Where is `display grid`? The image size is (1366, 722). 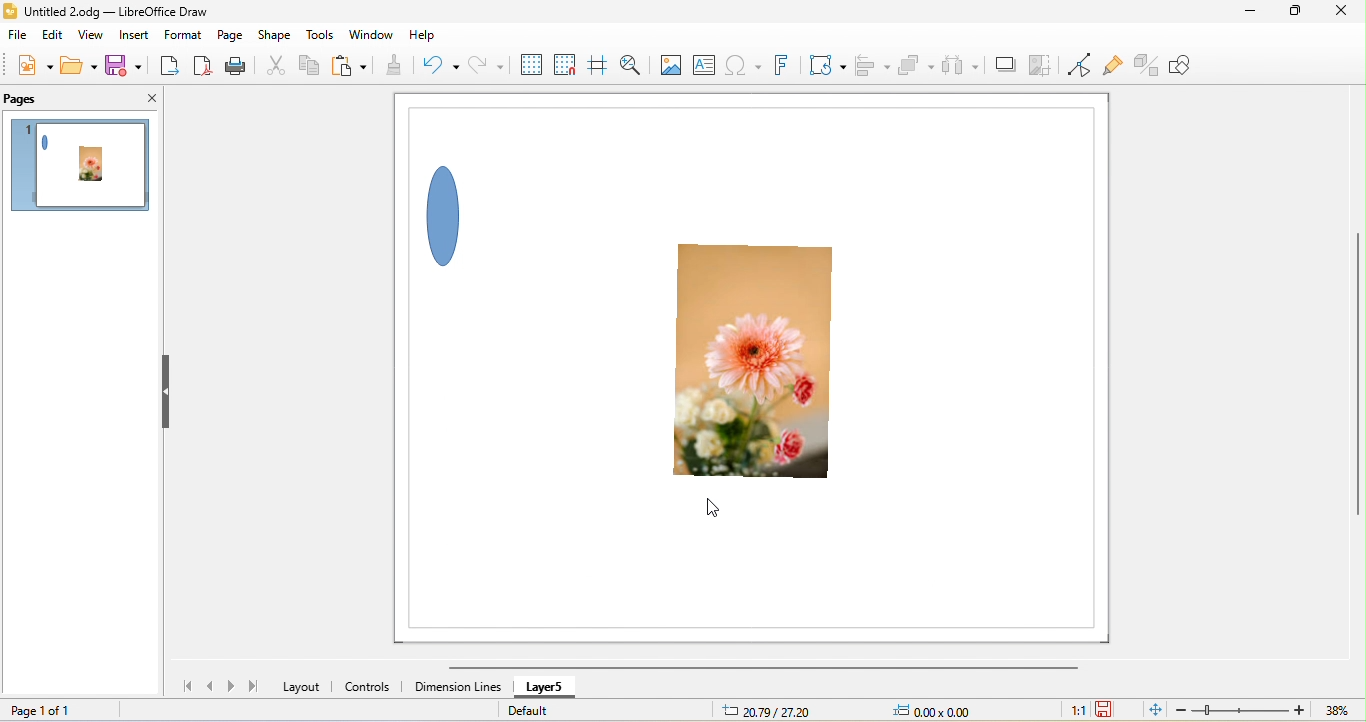 display grid is located at coordinates (517, 64).